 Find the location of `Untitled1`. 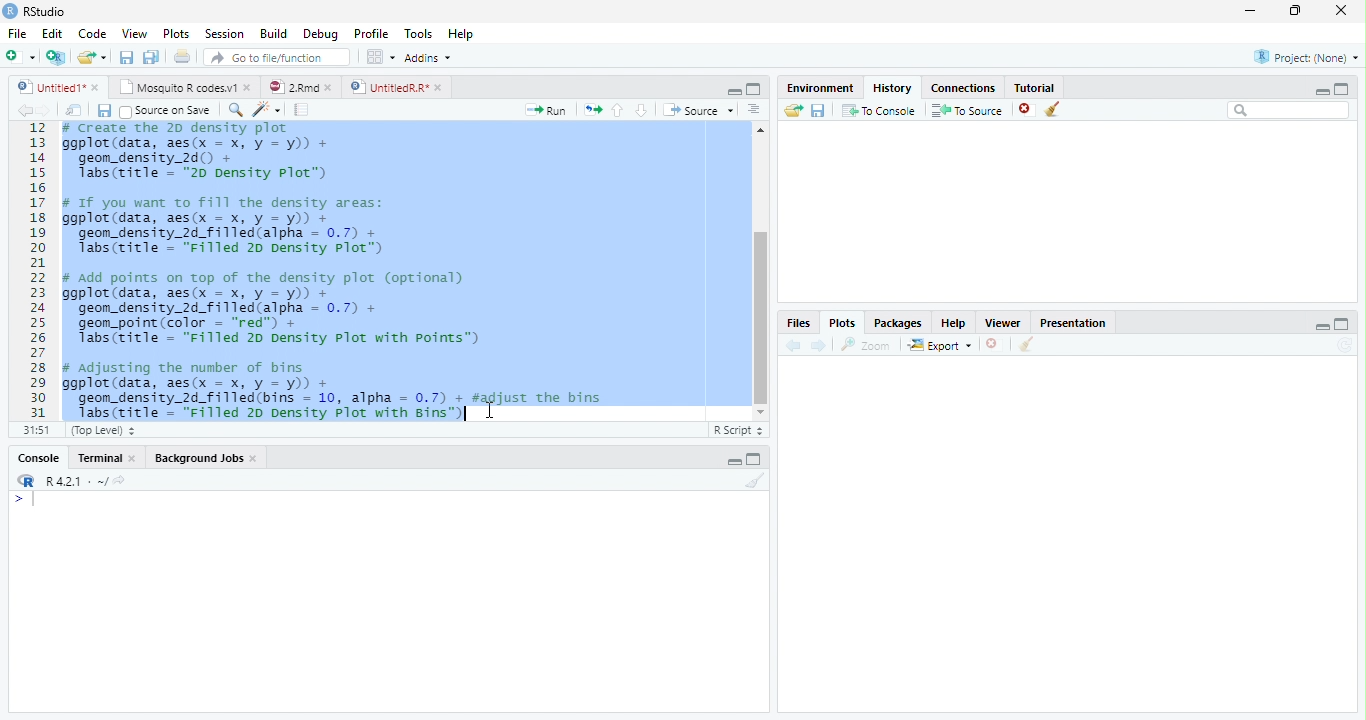

Untitled1 is located at coordinates (46, 87).